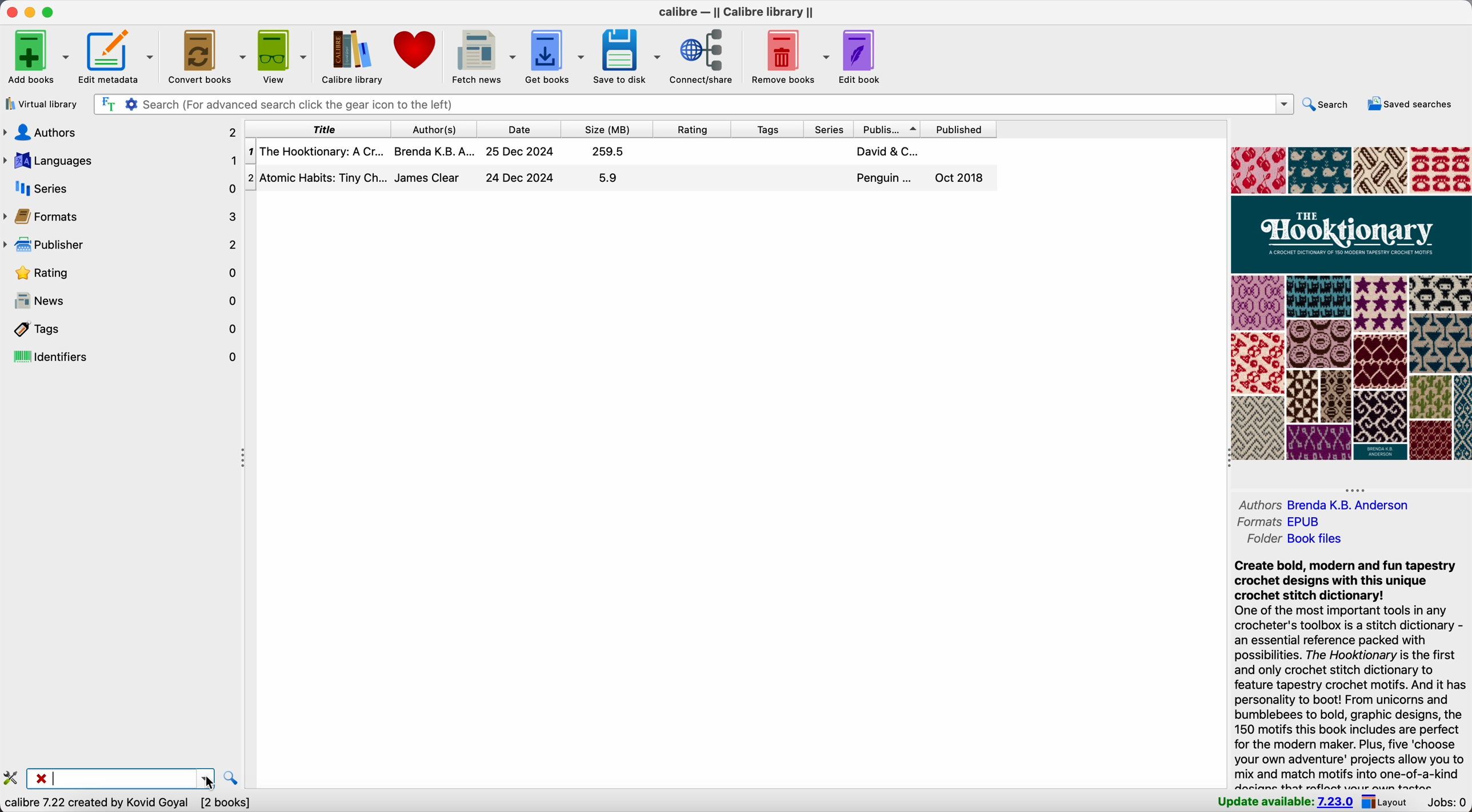  Describe the element at coordinates (1295, 539) in the screenshot. I see `folder` at that location.